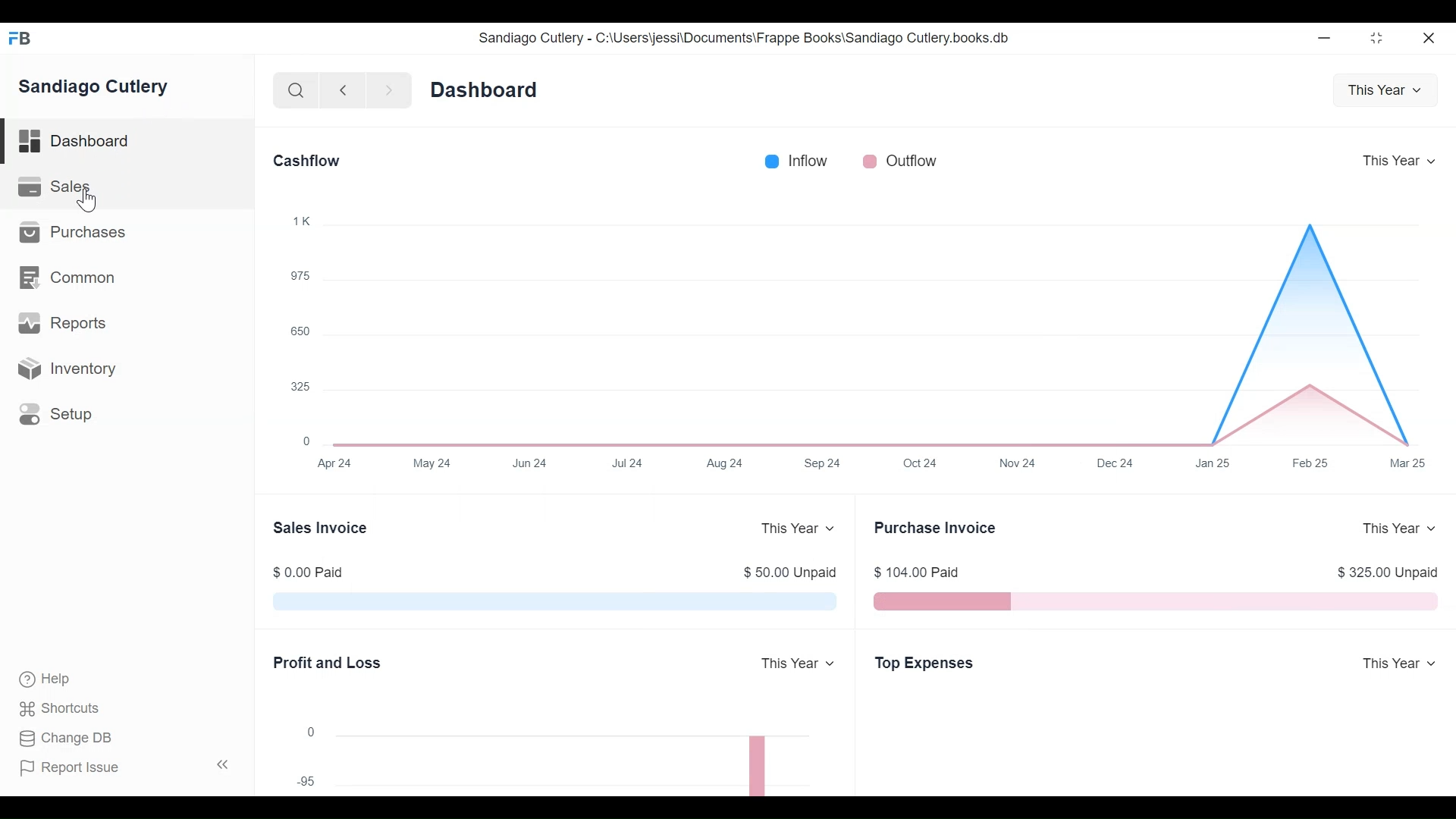  Describe the element at coordinates (71, 275) in the screenshot. I see `Common` at that location.